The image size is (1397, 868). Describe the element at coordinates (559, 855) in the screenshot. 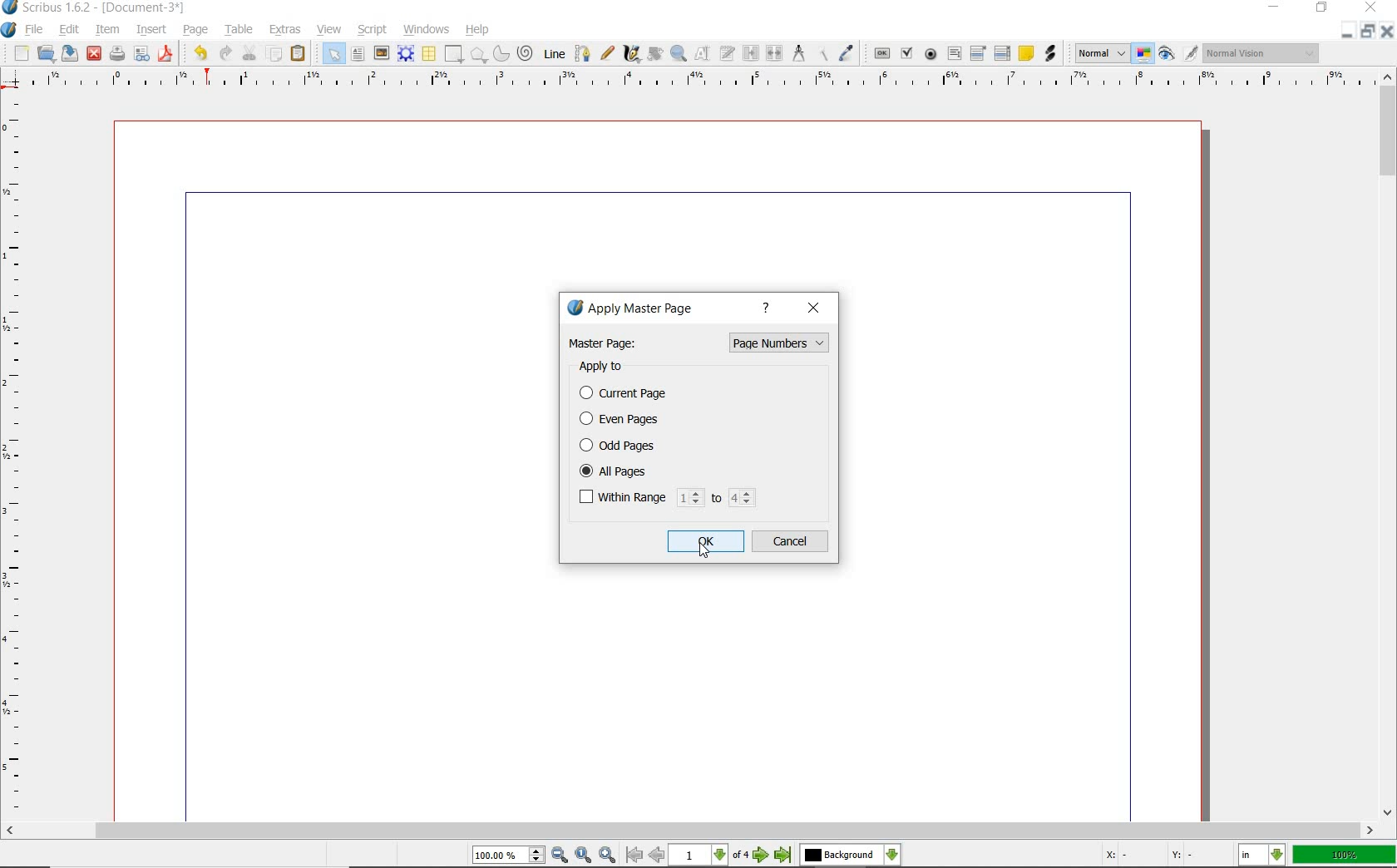

I see `Zoom Out` at that location.